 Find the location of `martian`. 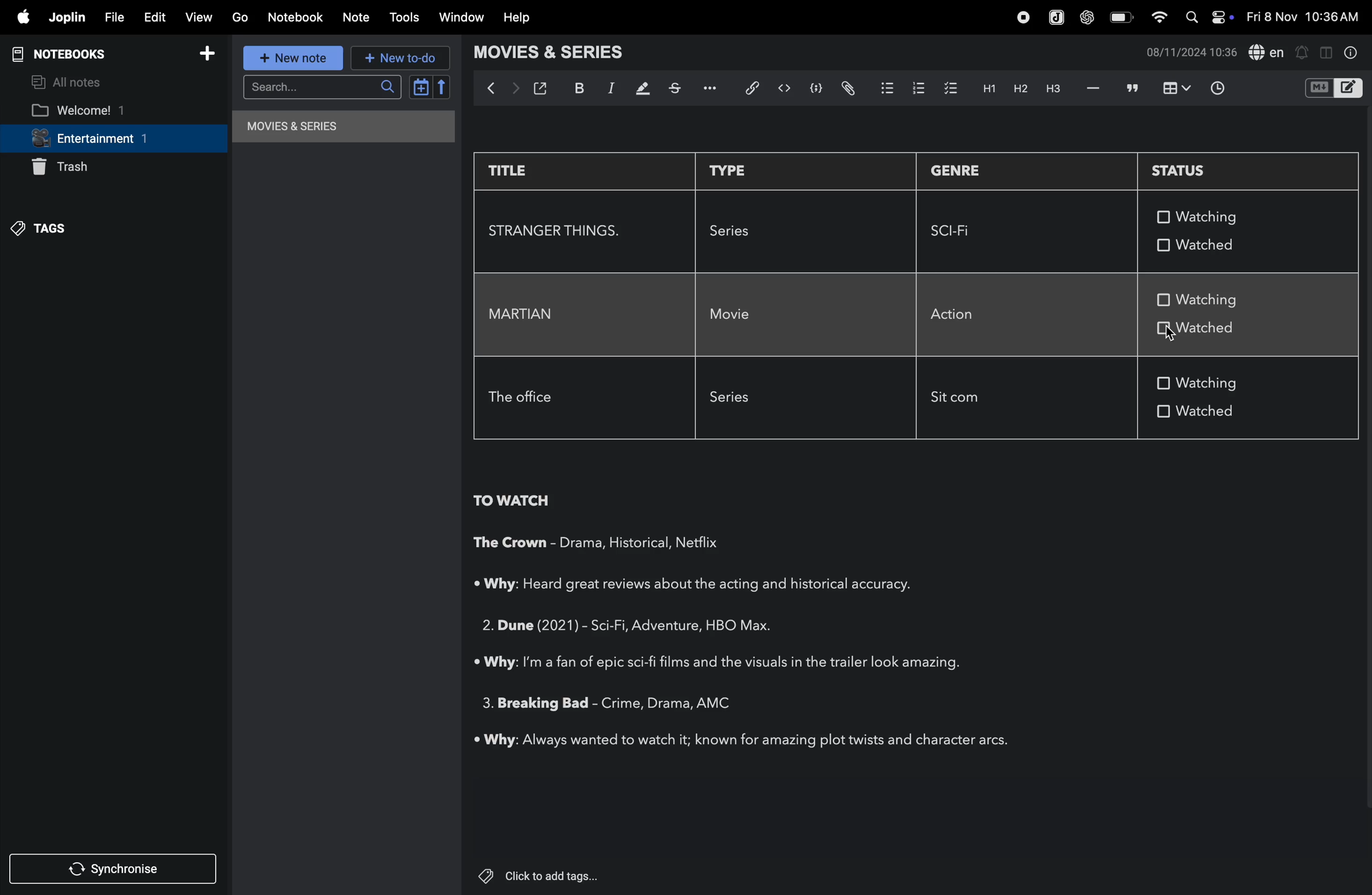

martian is located at coordinates (525, 314).